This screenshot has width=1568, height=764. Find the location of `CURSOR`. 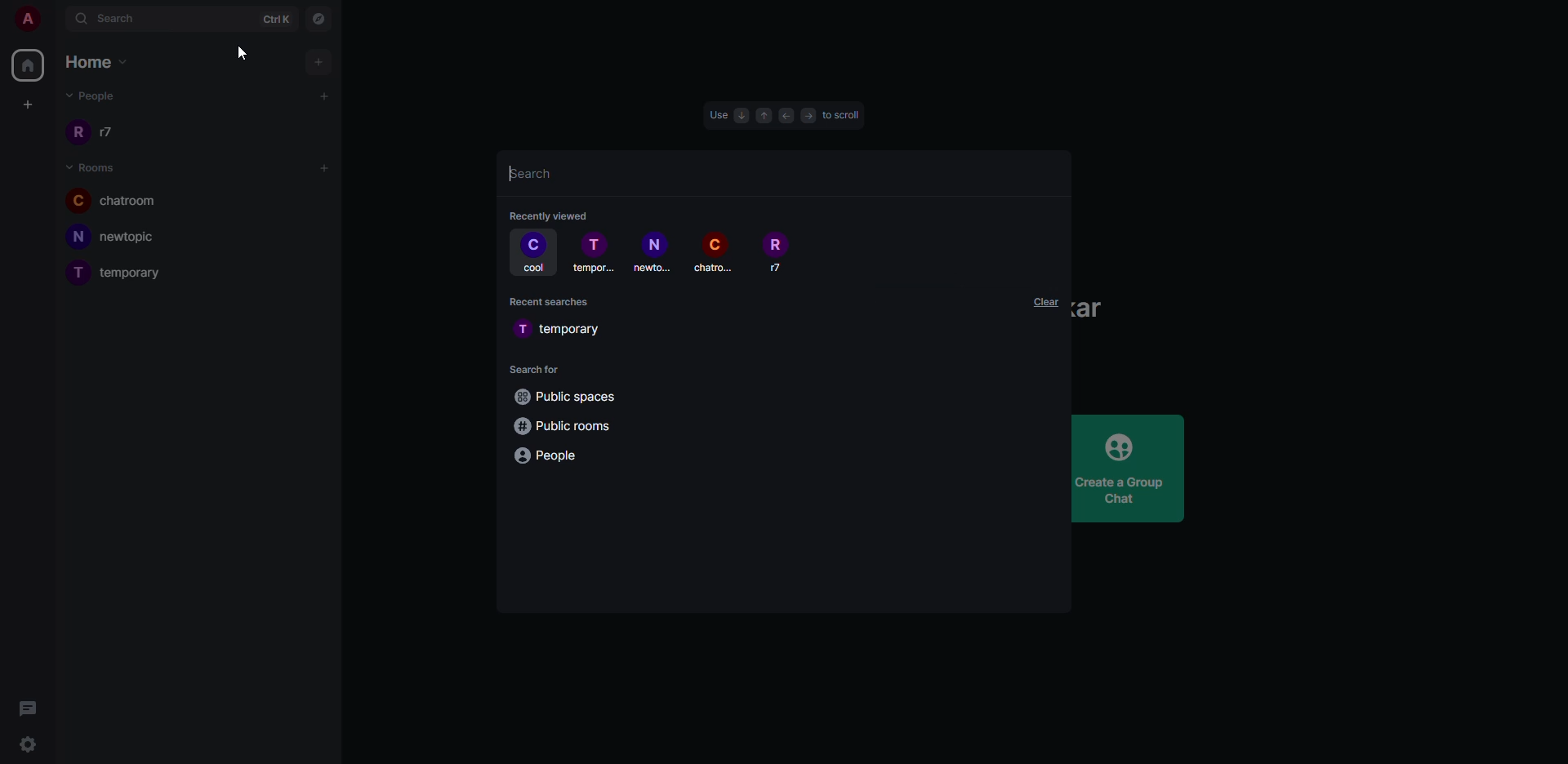

CURSOR is located at coordinates (163, 35).